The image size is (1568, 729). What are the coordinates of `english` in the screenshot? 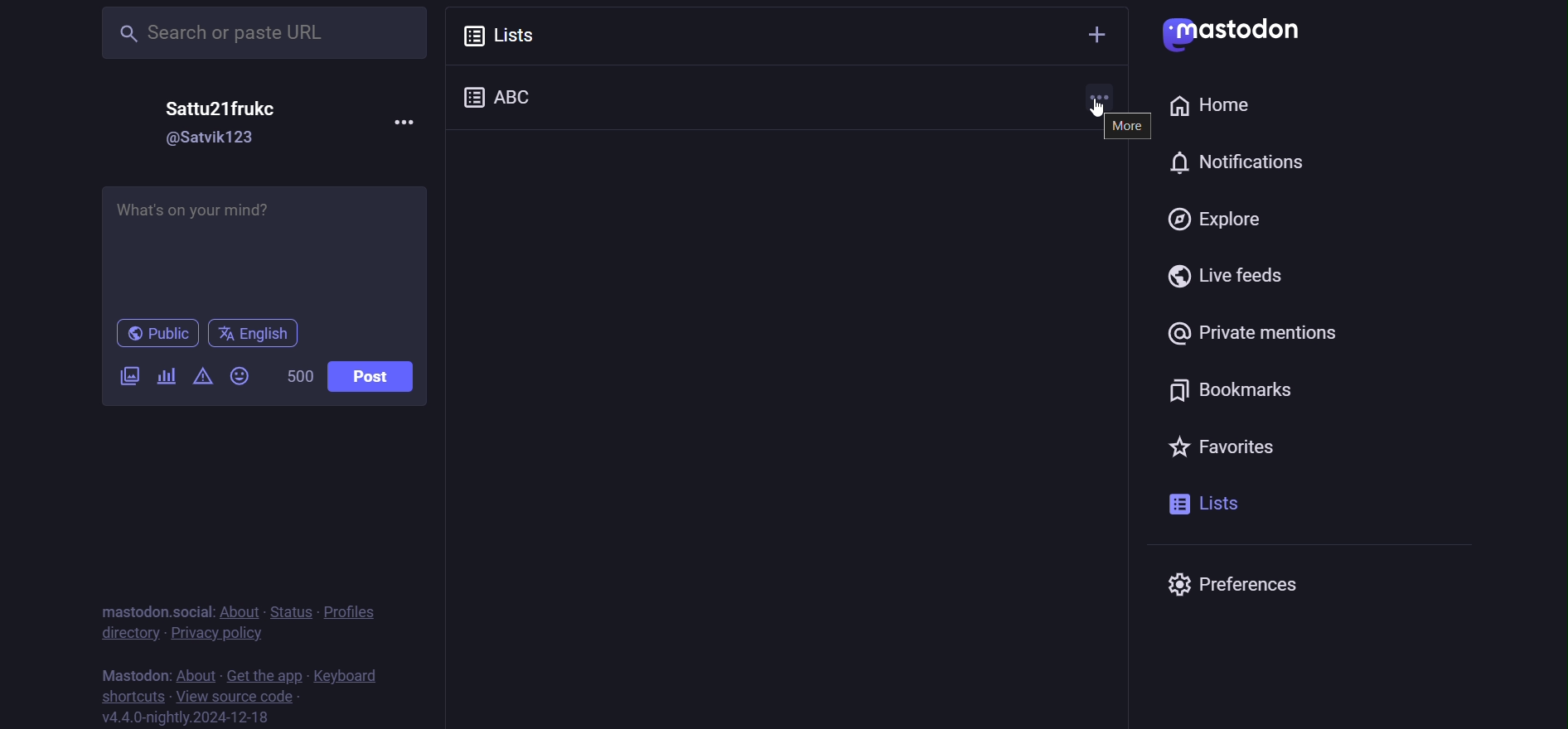 It's located at (254, 331).